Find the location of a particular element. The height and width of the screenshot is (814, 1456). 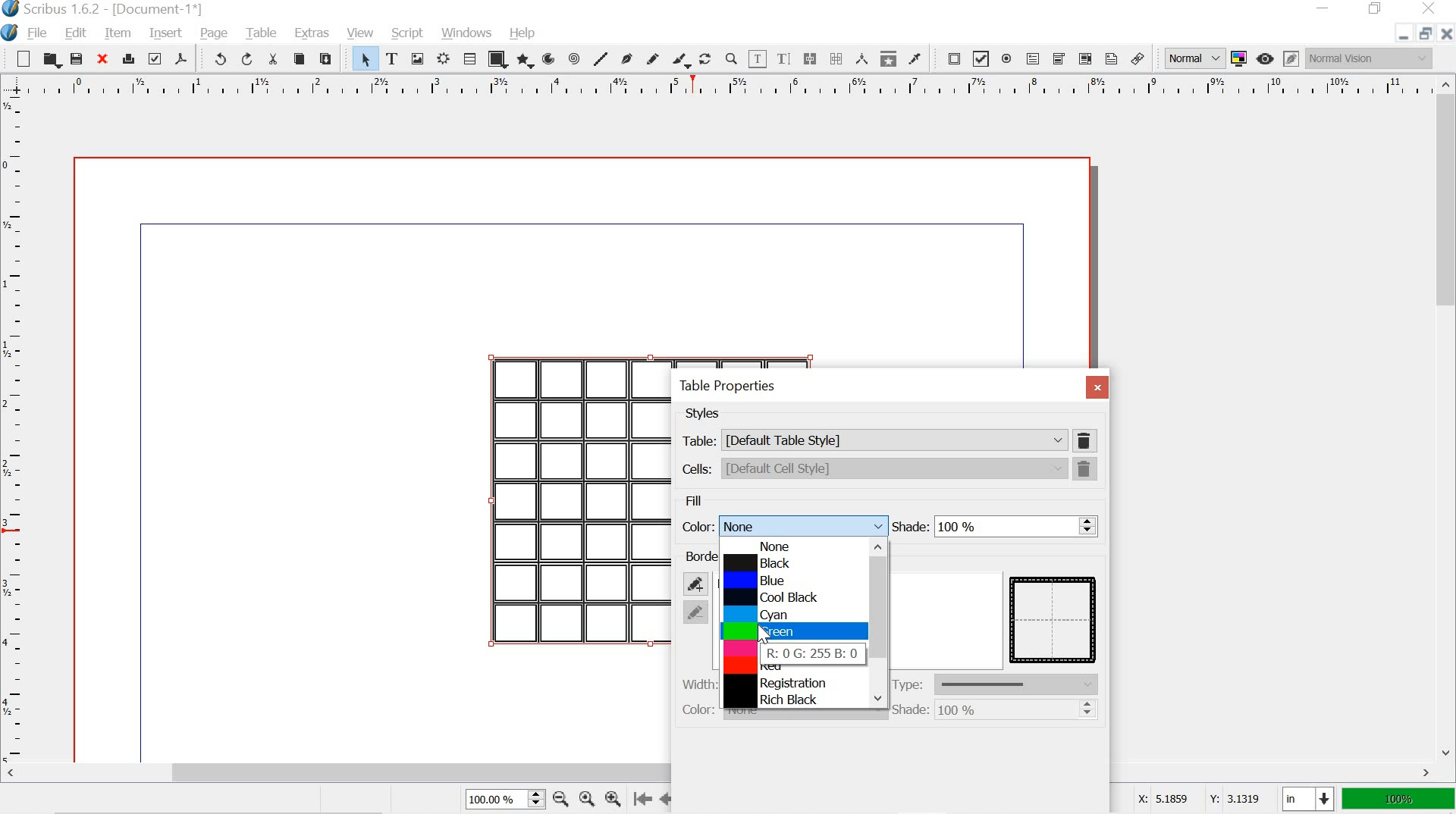

normal is located at coordinates (1189, 56).